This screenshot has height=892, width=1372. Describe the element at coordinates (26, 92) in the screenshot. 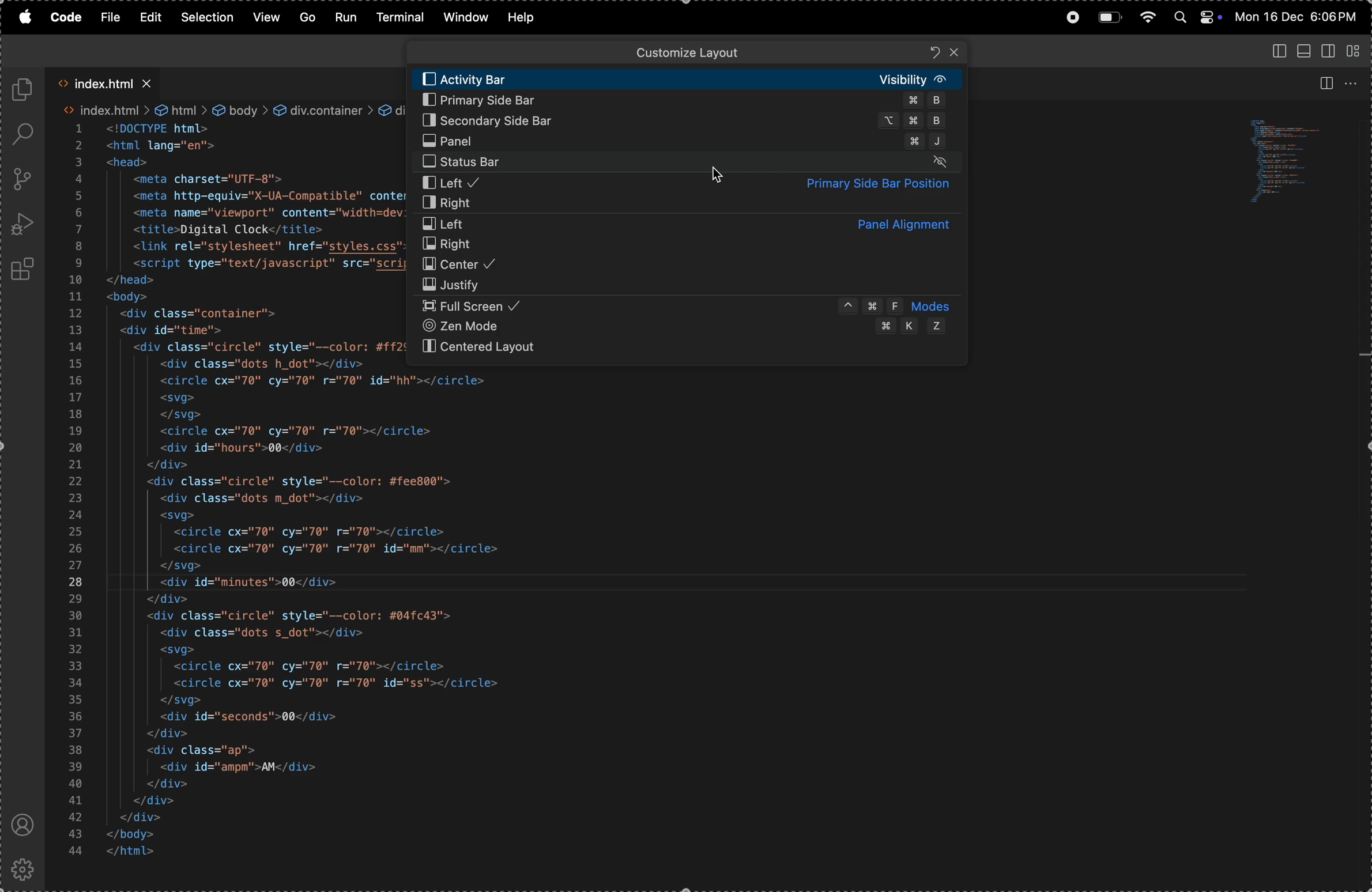

I see `explore` at that location.